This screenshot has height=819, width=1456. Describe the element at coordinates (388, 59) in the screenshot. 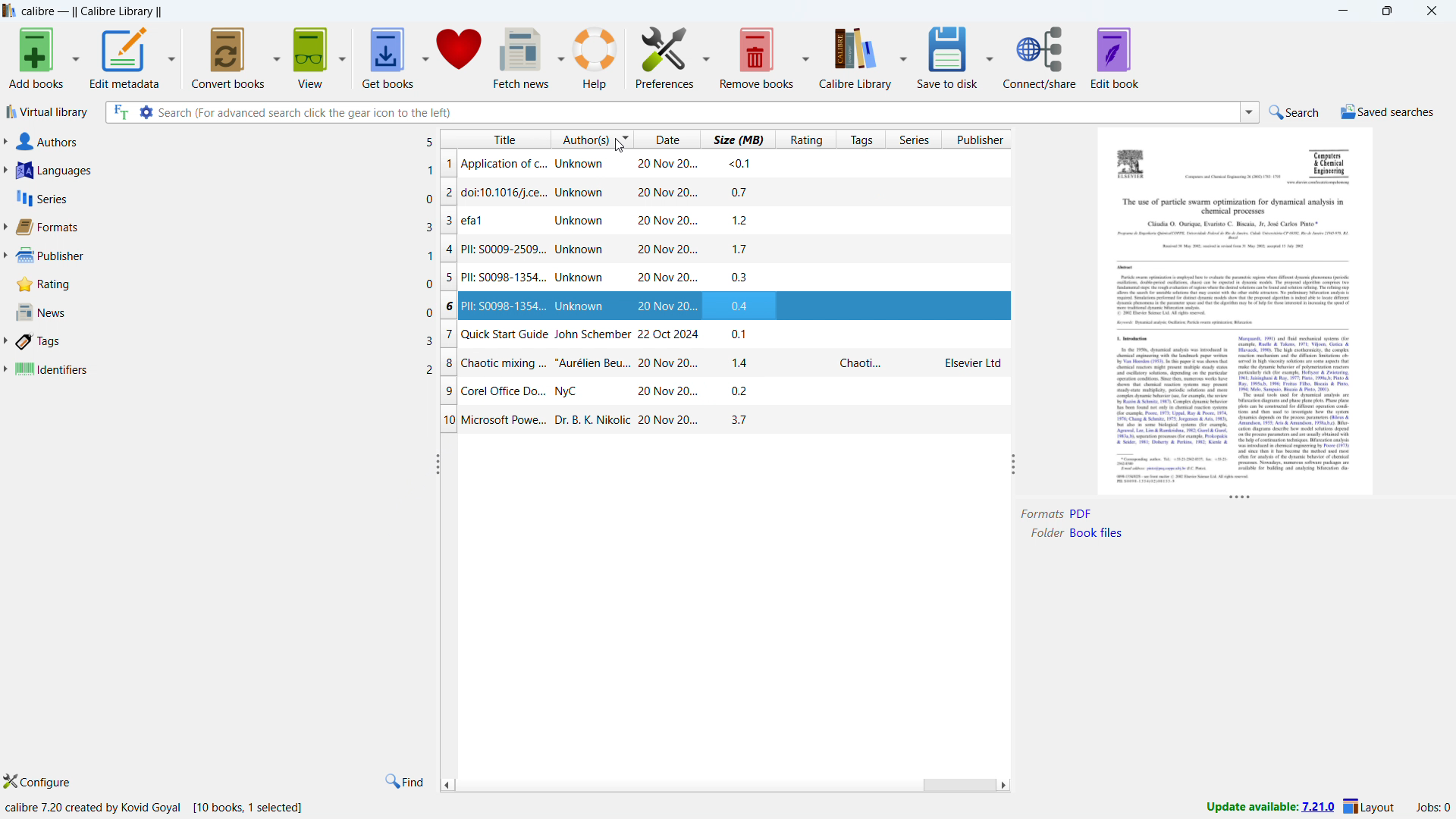

I see `get books` at that location.